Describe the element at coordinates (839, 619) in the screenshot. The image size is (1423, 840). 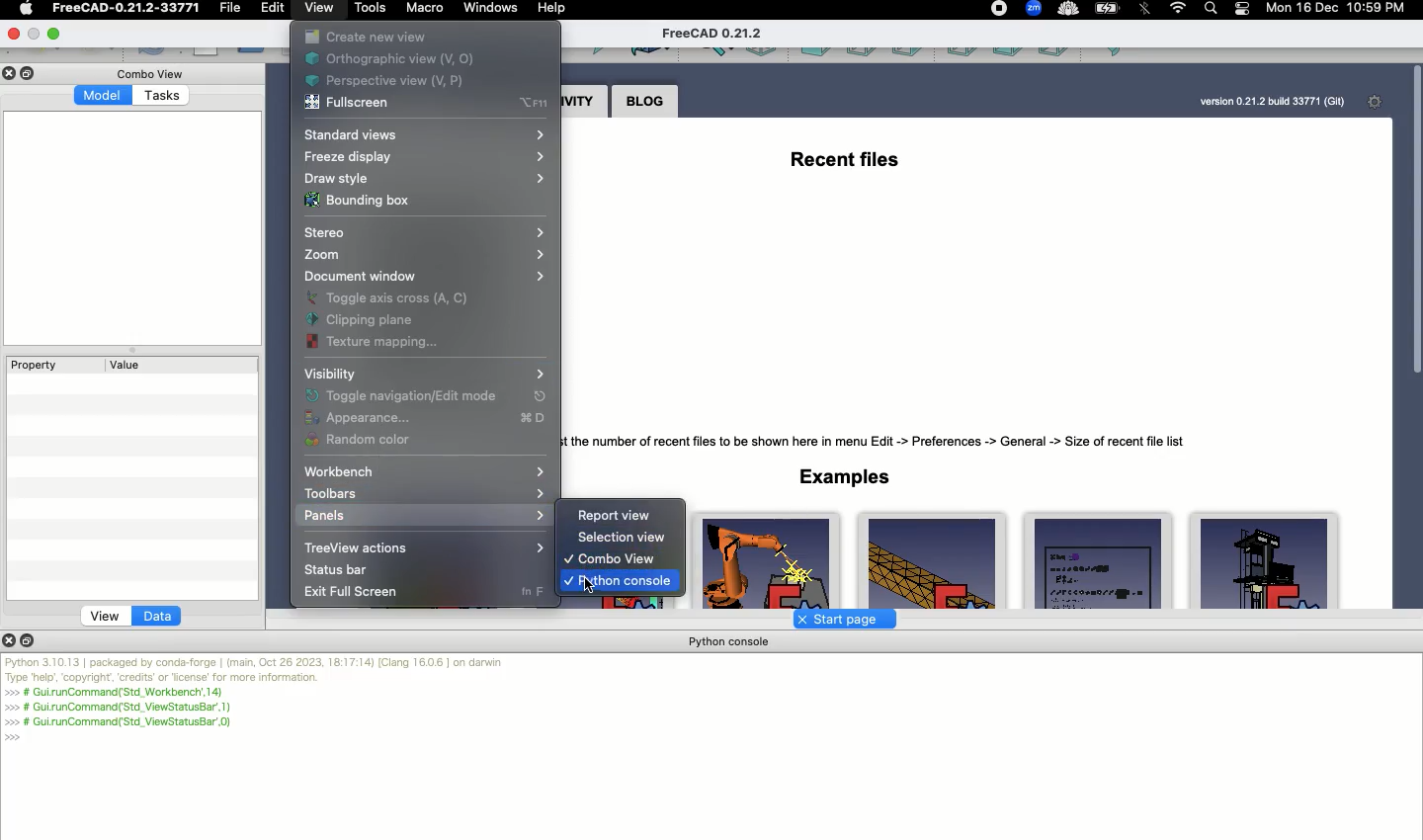
I see `Start page` at that location.